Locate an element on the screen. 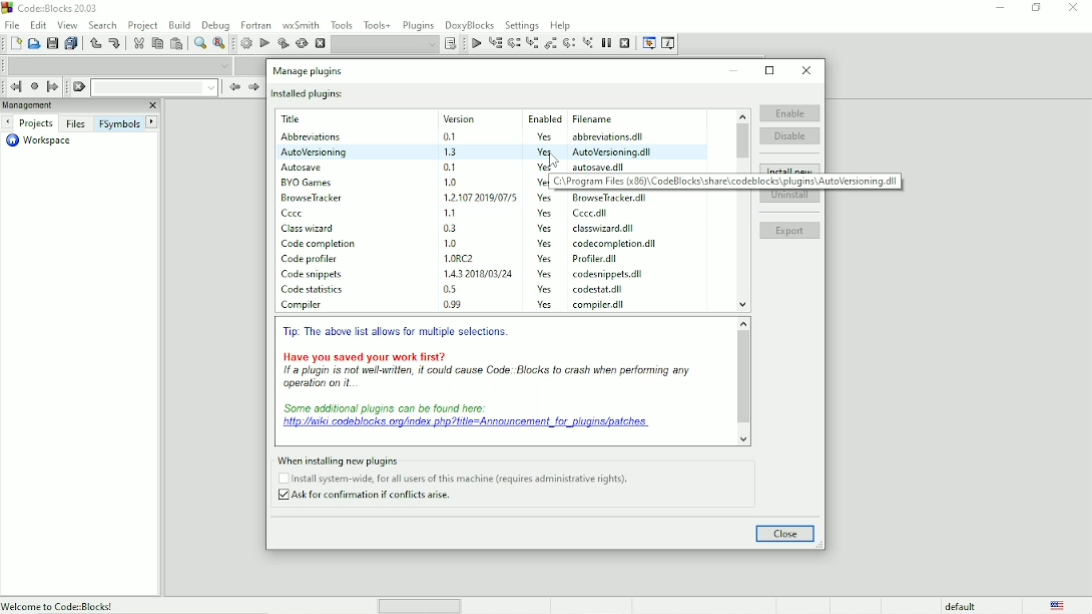 The height and width of the screenshot is (614, 1092). FSymbols is located at coordinates (119, 123).